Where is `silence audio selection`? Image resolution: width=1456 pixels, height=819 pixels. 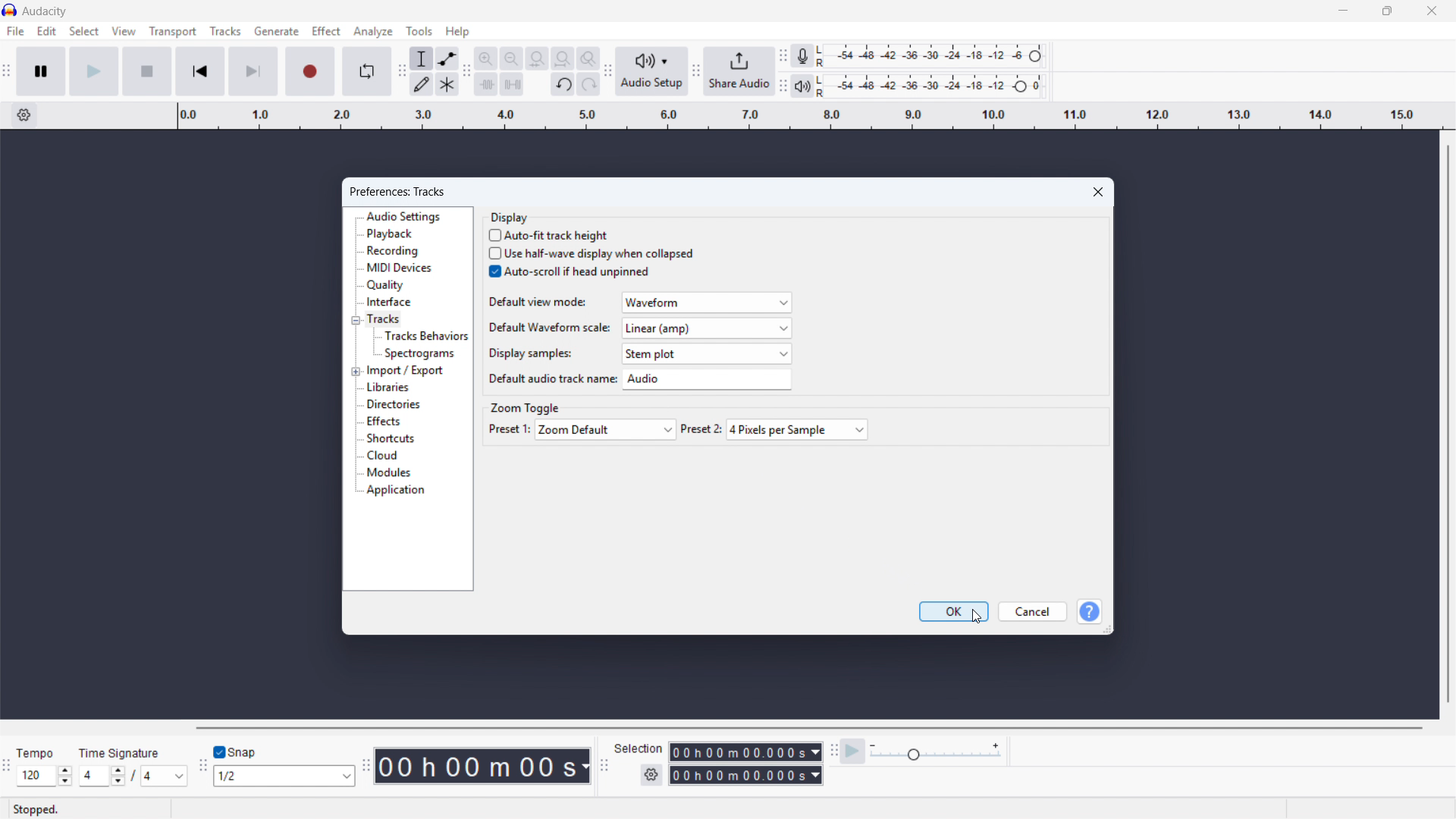 silence audio selection is located at coordinates (512, 84).